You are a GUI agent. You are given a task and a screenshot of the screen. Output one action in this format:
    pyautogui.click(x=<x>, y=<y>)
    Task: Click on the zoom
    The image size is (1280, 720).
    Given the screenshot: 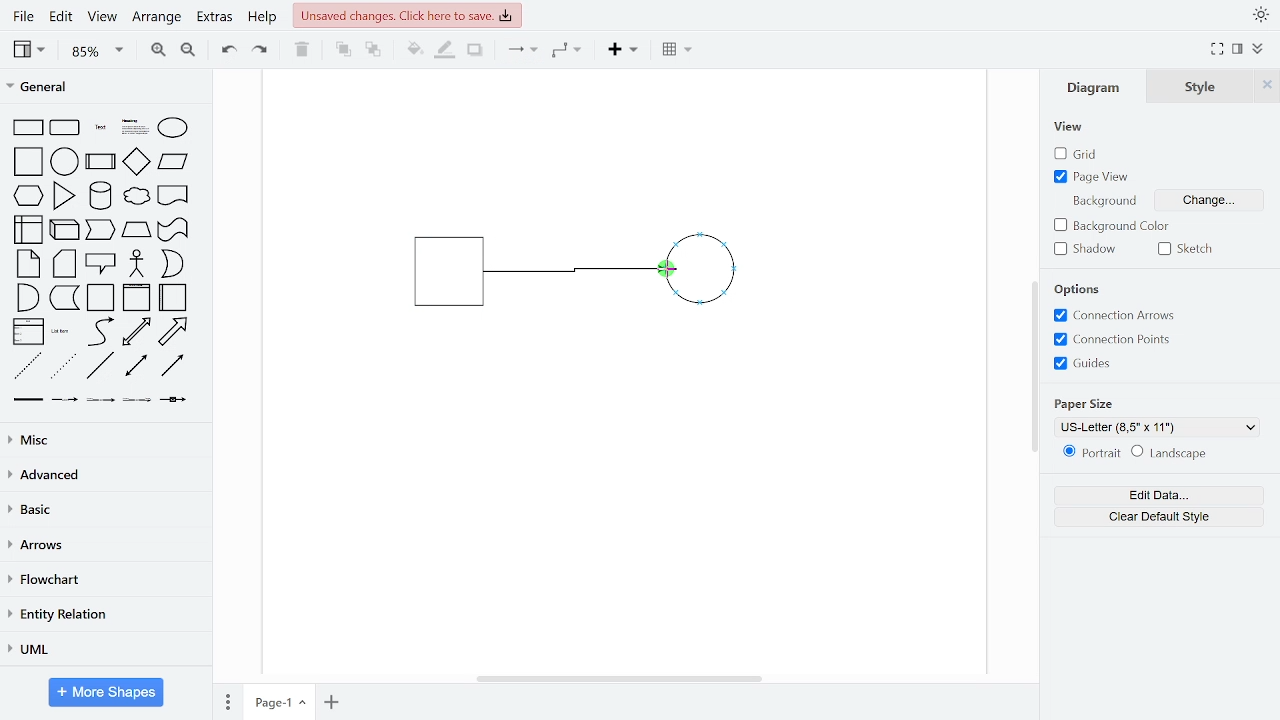 What is the action you would take?
    pyautogui.click(x=98, y=50)
    